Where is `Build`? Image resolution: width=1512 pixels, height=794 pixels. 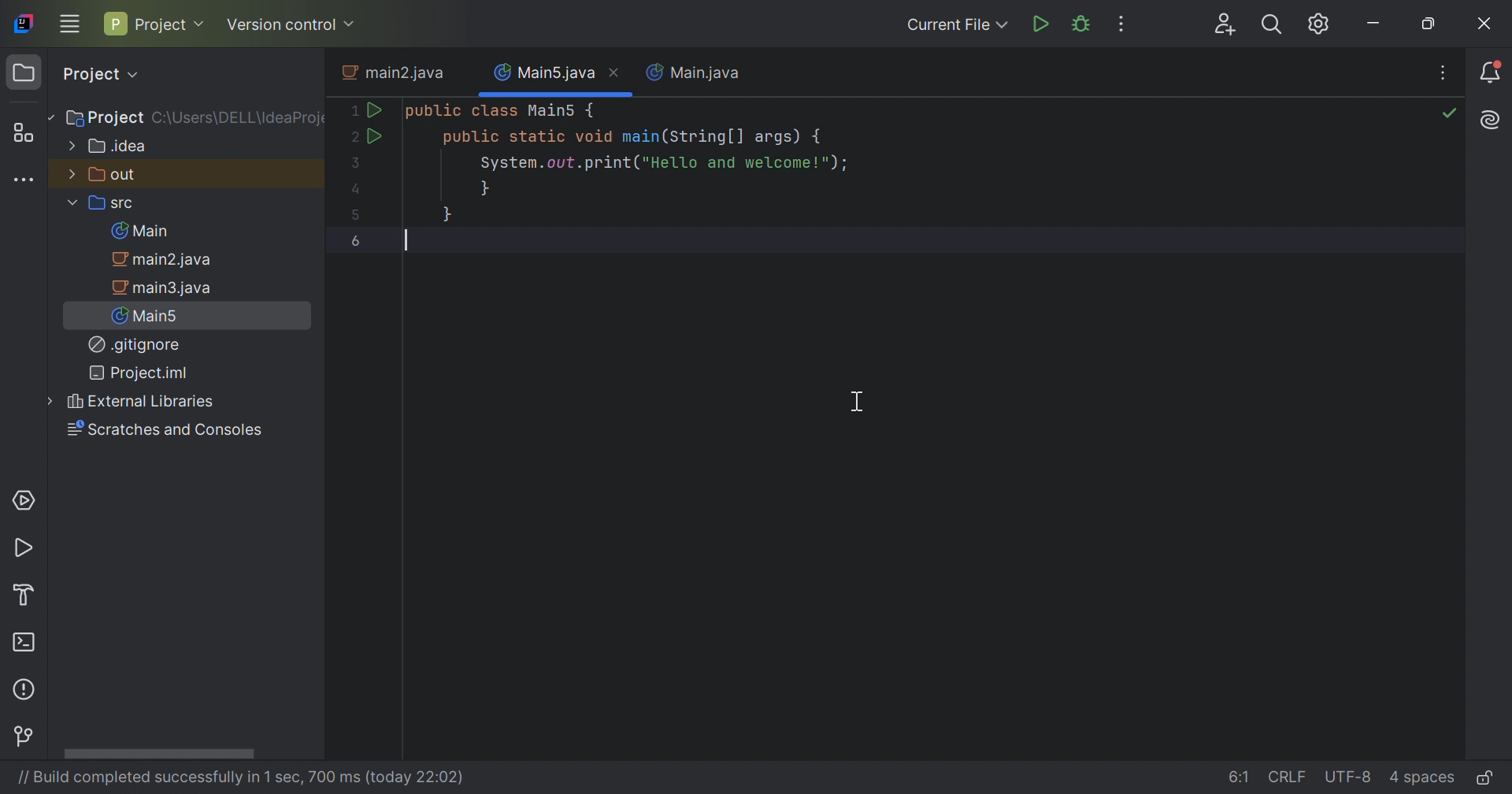
Build is located at coordinates (31, 593).